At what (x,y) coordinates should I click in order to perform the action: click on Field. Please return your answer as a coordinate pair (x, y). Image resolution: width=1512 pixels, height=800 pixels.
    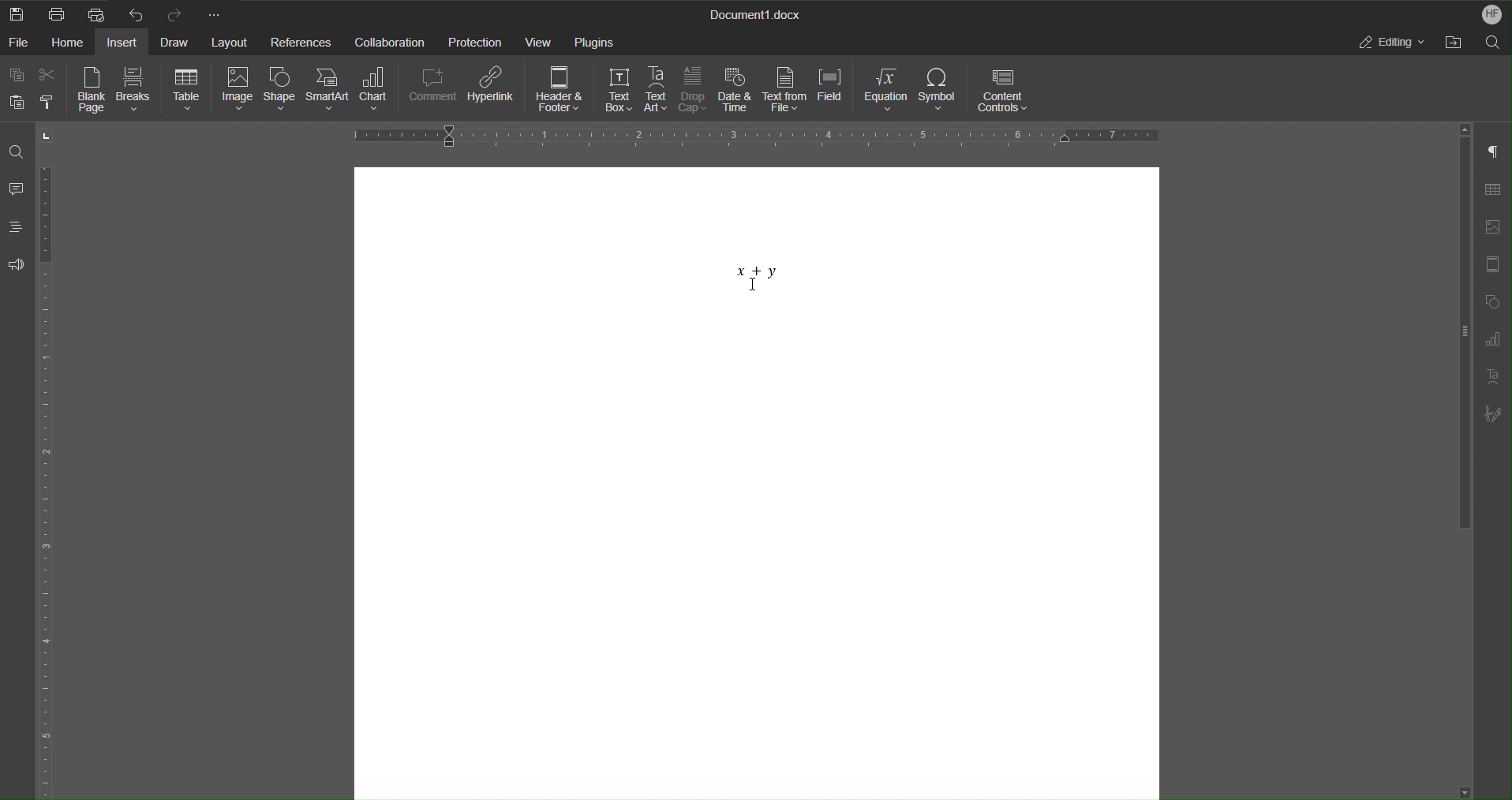
    Looking at the image, I should click on (833, 92).